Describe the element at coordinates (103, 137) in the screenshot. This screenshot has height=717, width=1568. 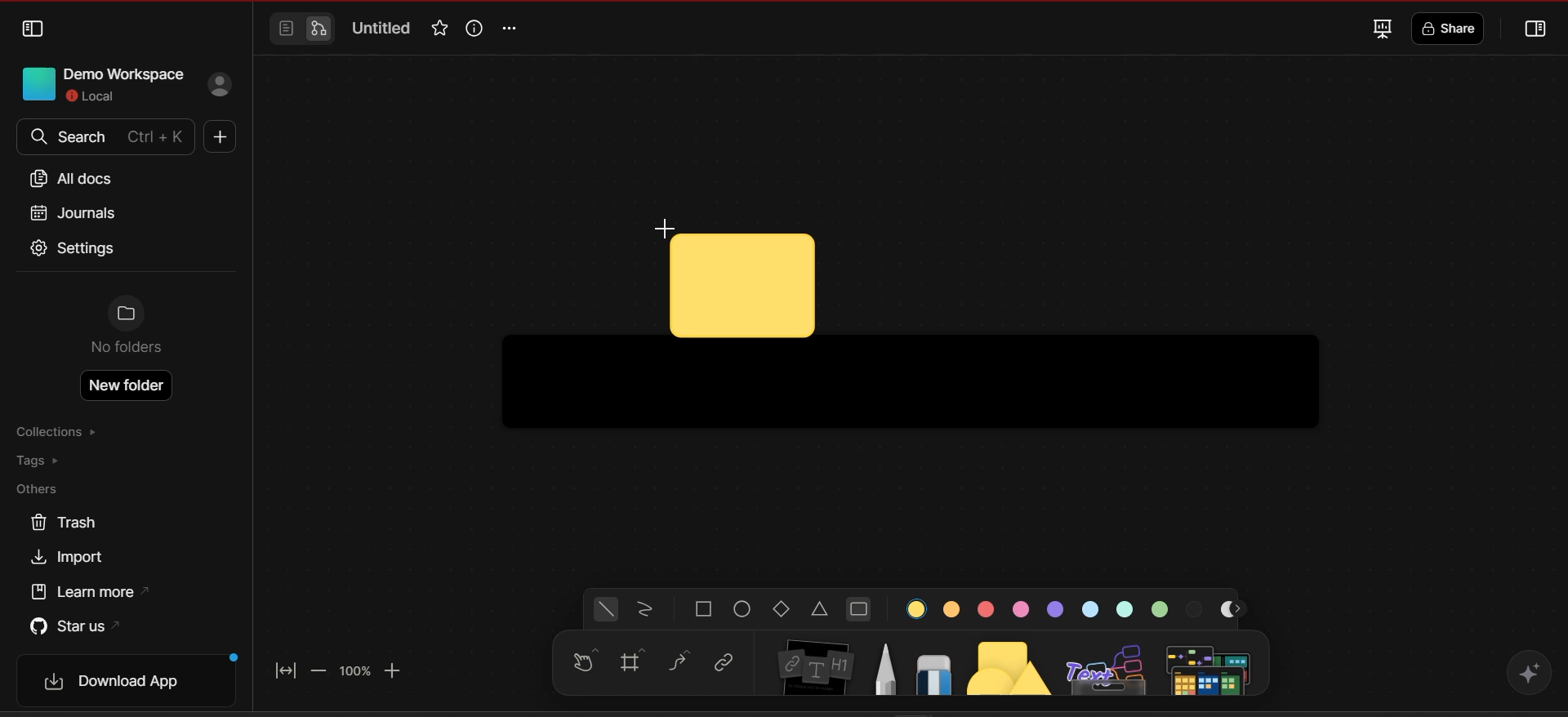
I see `search` at that location.